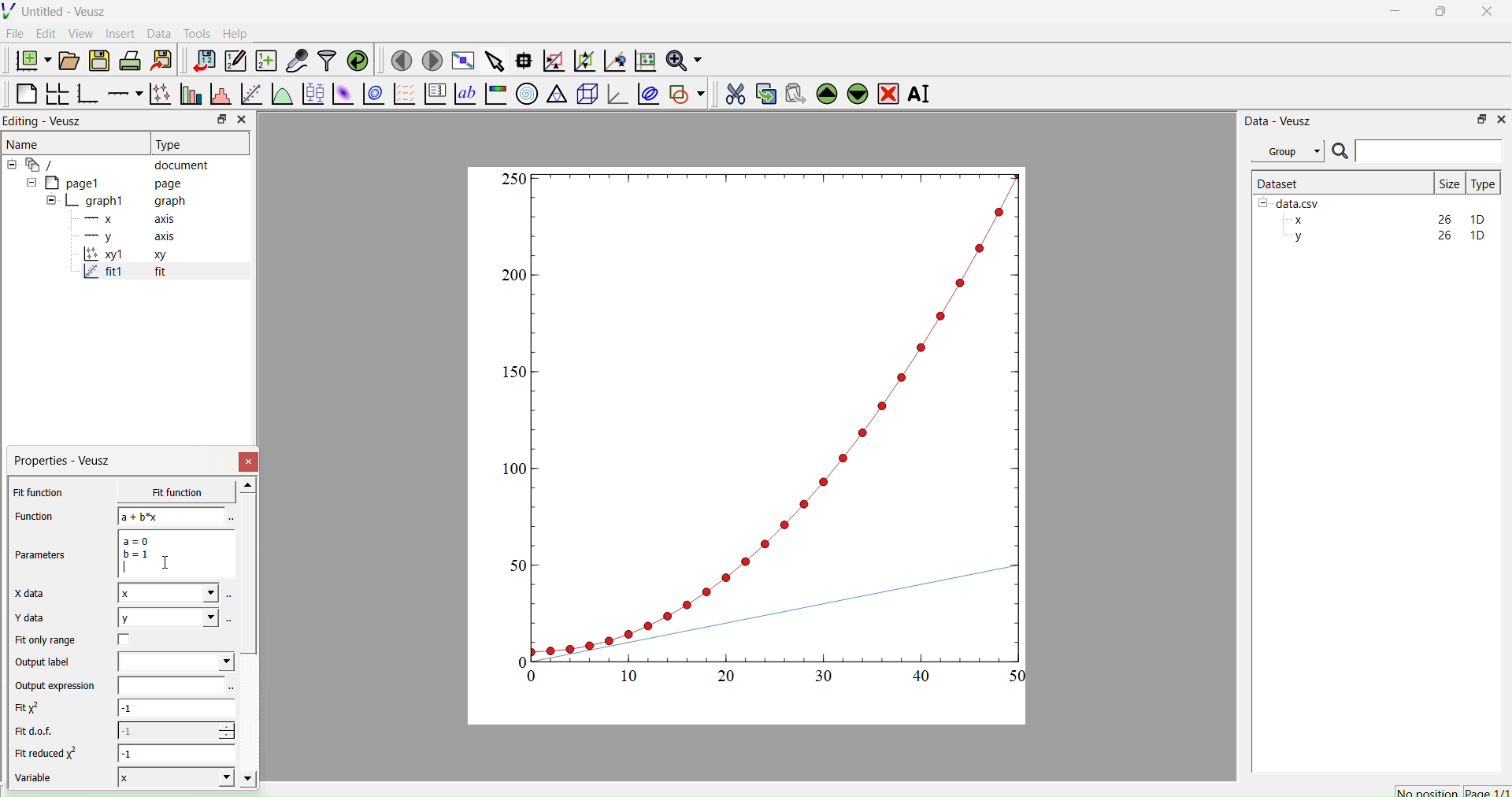 The image size is (1512, 797). I want to click on Checkbox, so click(128, 639).